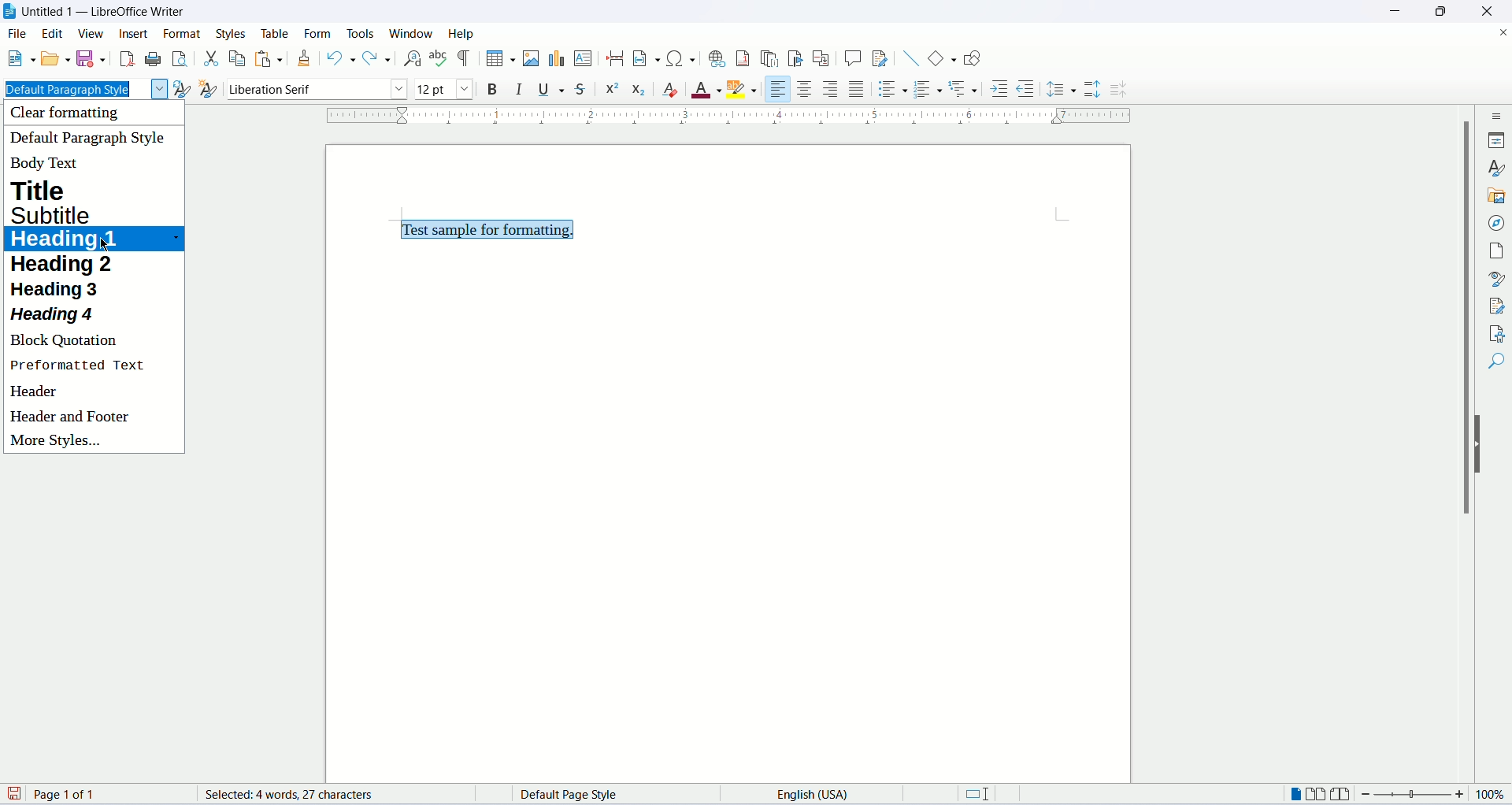 This screenshot has height=805, width=1512. Describe the element at coordinates (58, 442) in the screenshot. I see `more styles` at that location.